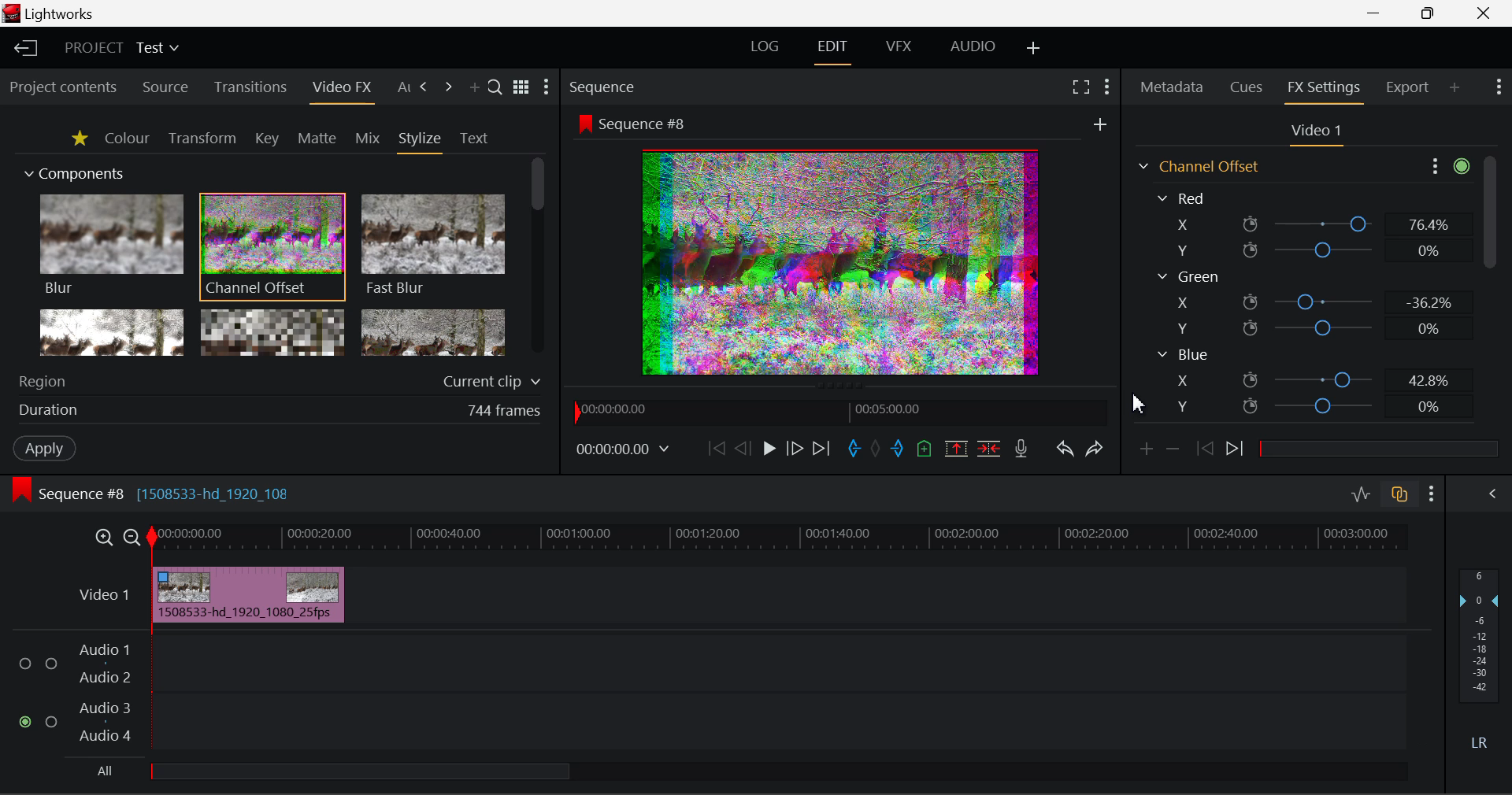 The width and height of the screenshot is (1512, 795). I want to click on Green Y, so click(1308, 327).